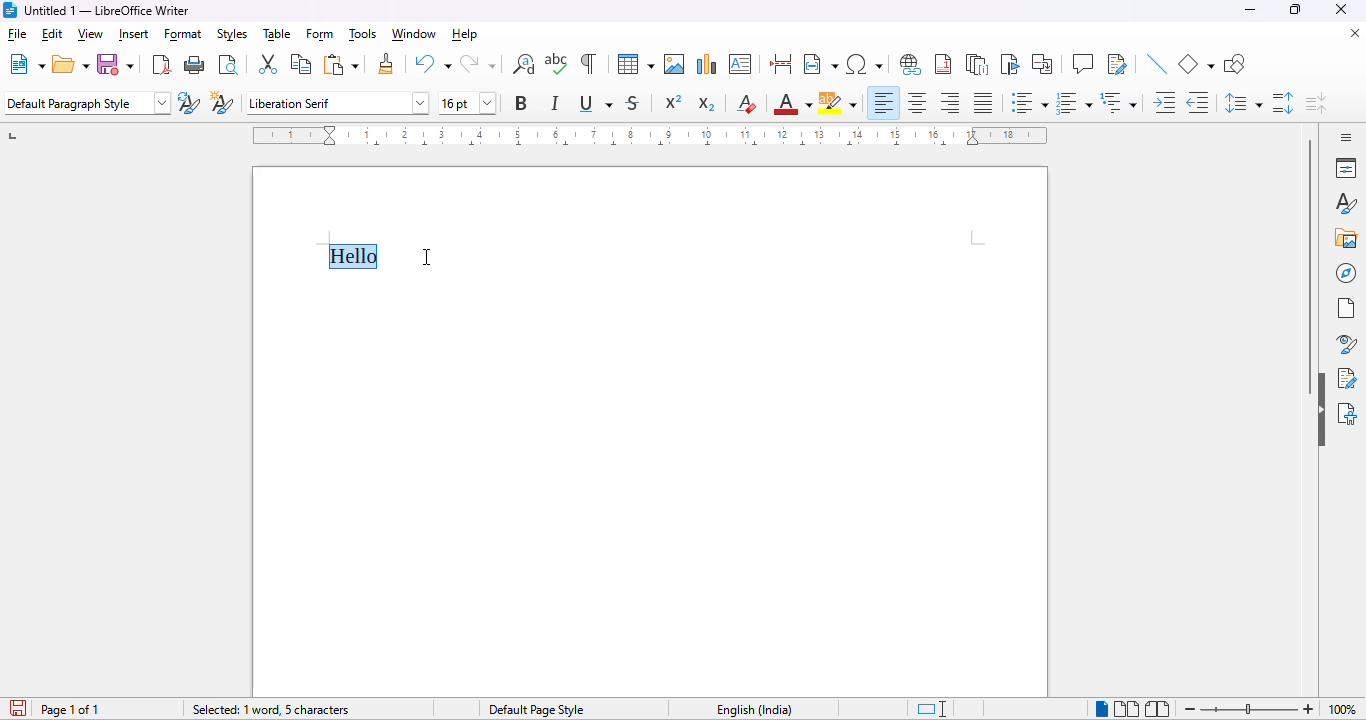 The height and width of the screenshot is (720, 1366). I want to click on insert special characters, so click(864, 64).